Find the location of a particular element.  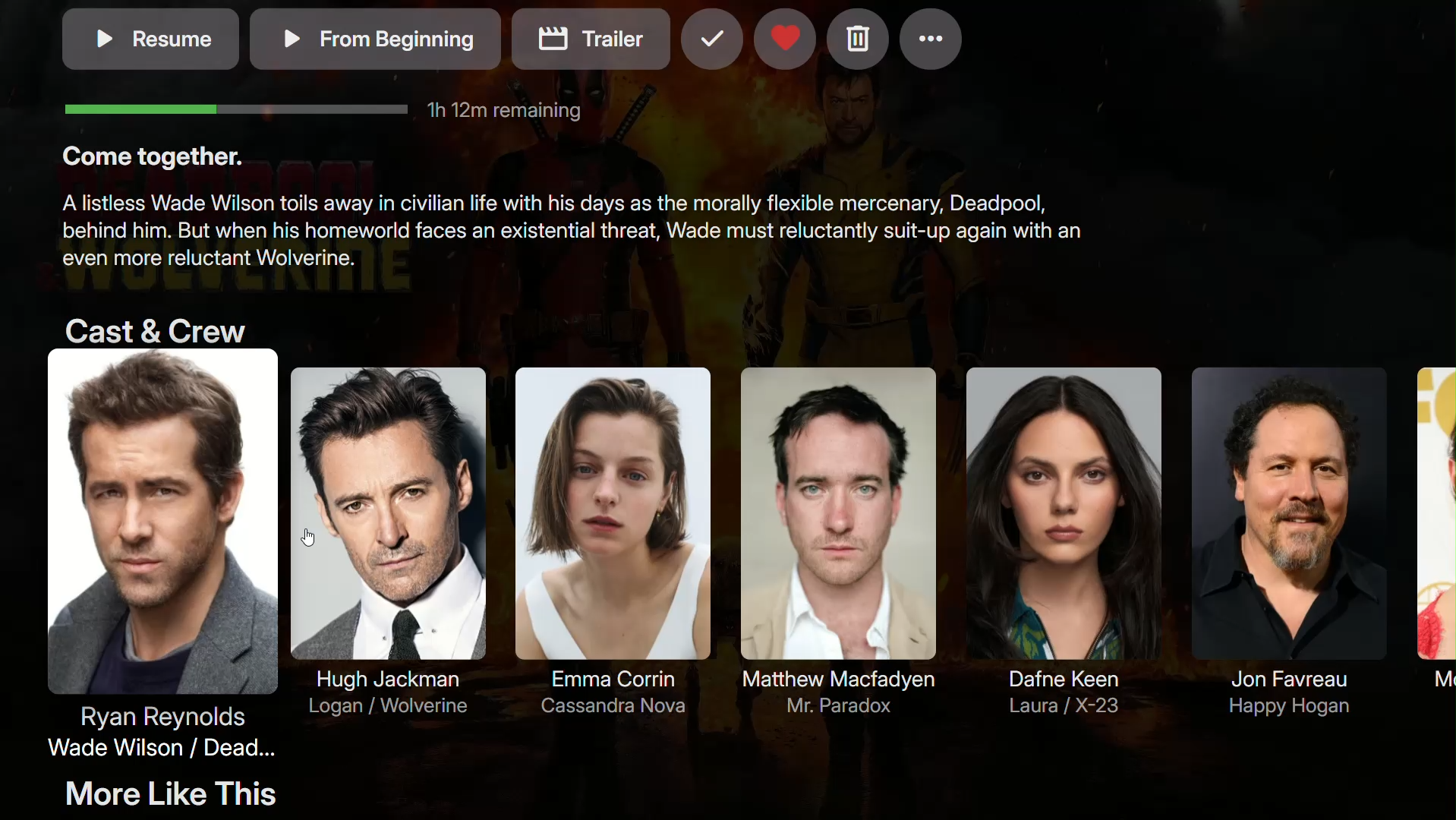

Favorites is located at coordinates (783, 43).